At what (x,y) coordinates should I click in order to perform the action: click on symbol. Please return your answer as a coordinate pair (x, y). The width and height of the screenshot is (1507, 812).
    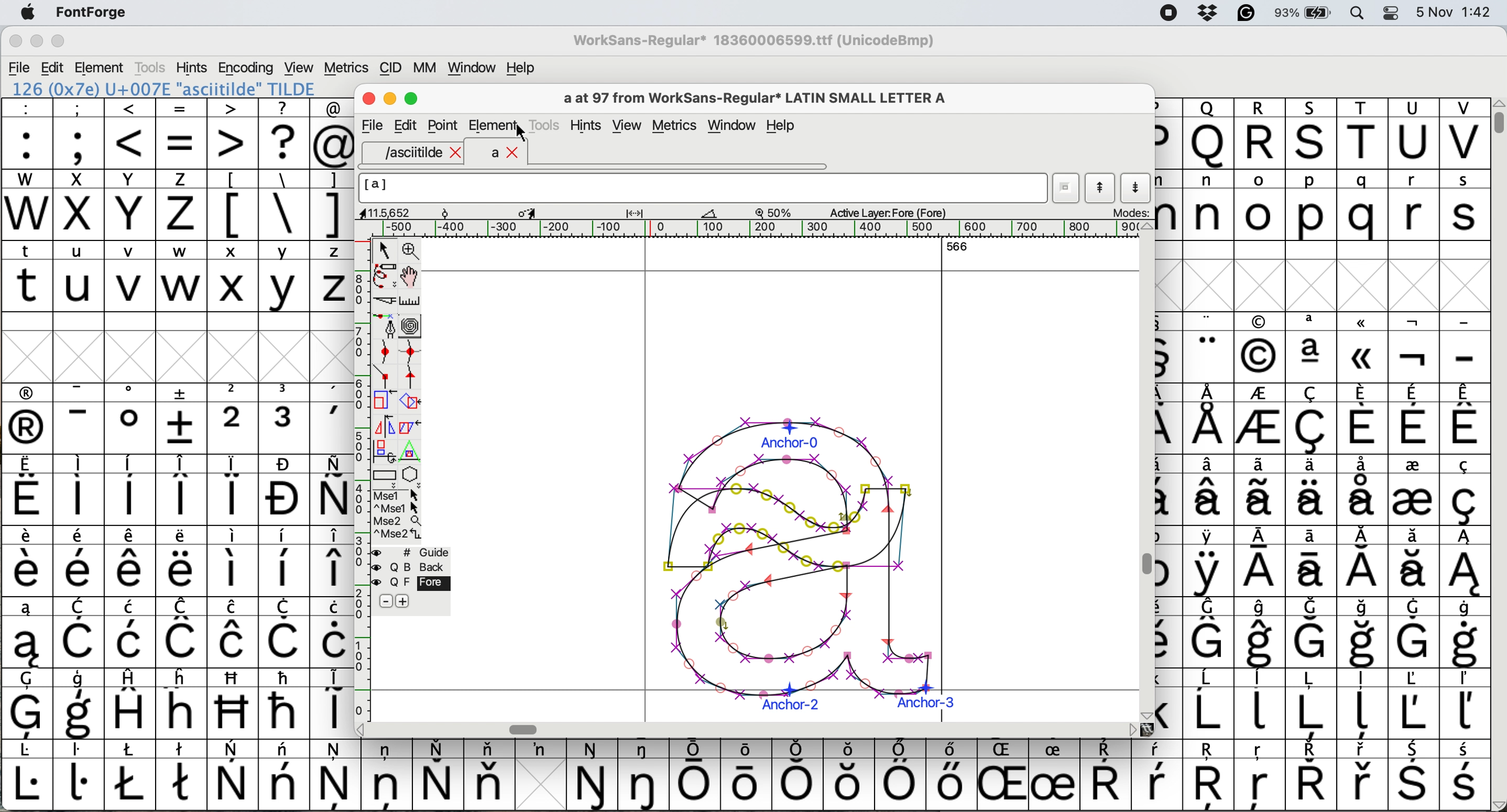
    Looking at the image, I should click on (28, 419).